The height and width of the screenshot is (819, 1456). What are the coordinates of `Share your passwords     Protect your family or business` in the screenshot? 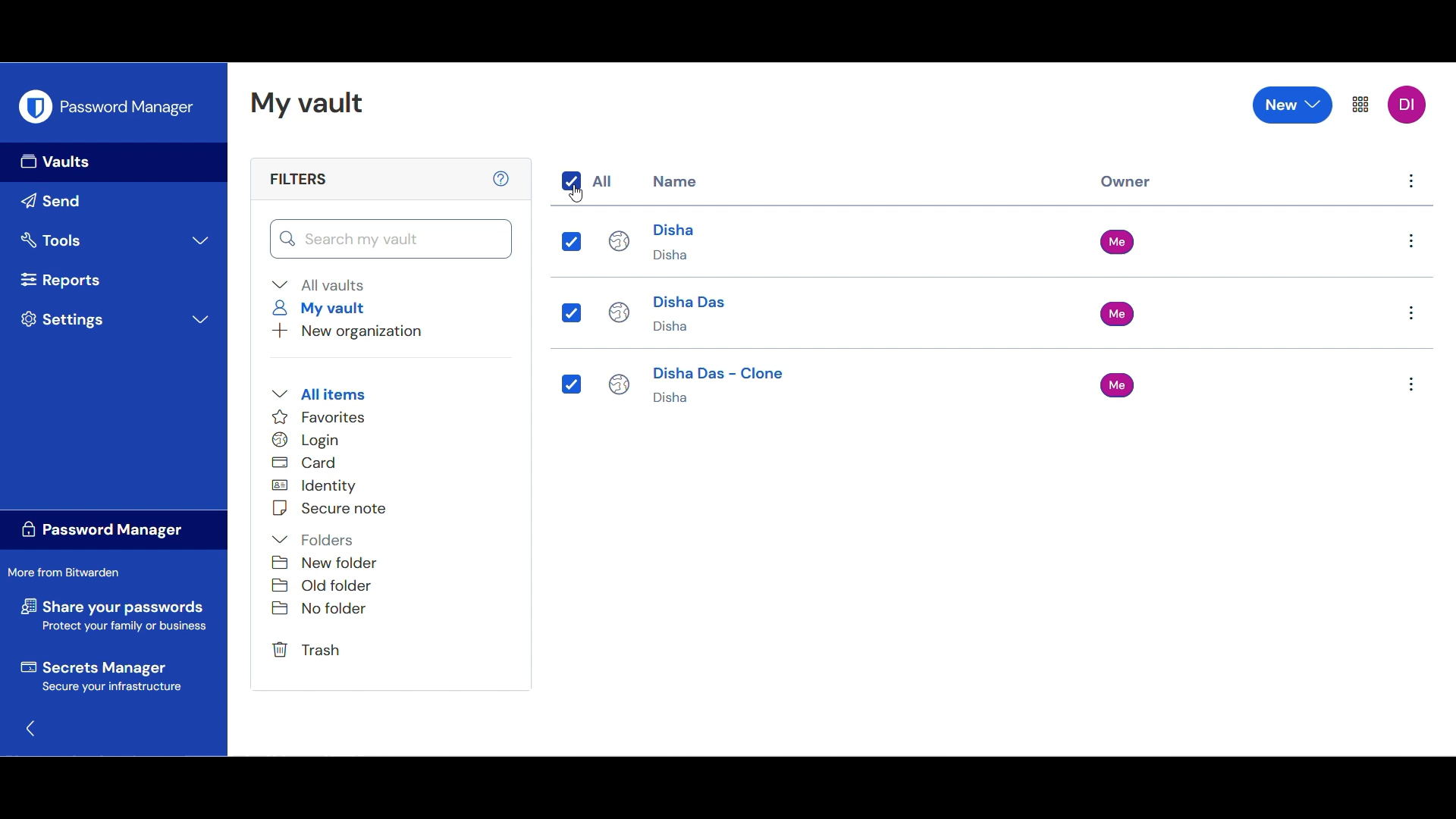 It's located at (114, 617).